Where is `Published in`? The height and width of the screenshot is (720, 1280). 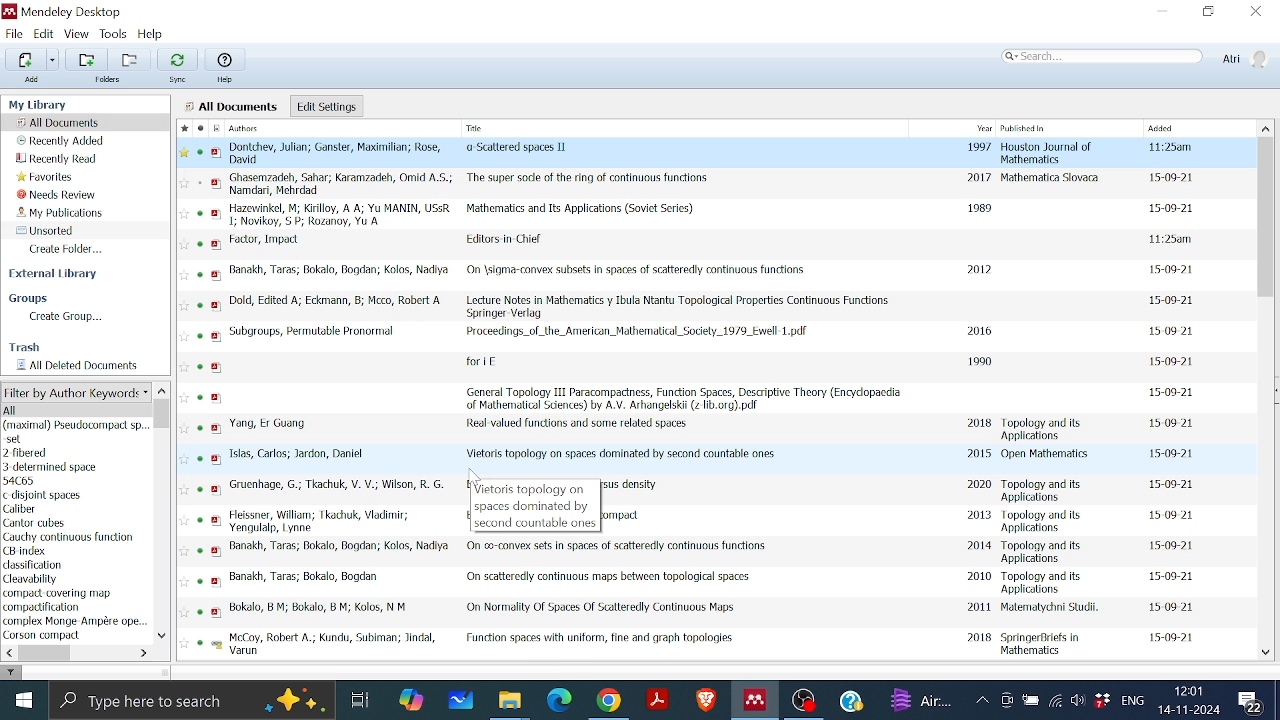
Published in is located at coordinates (1043, 644).